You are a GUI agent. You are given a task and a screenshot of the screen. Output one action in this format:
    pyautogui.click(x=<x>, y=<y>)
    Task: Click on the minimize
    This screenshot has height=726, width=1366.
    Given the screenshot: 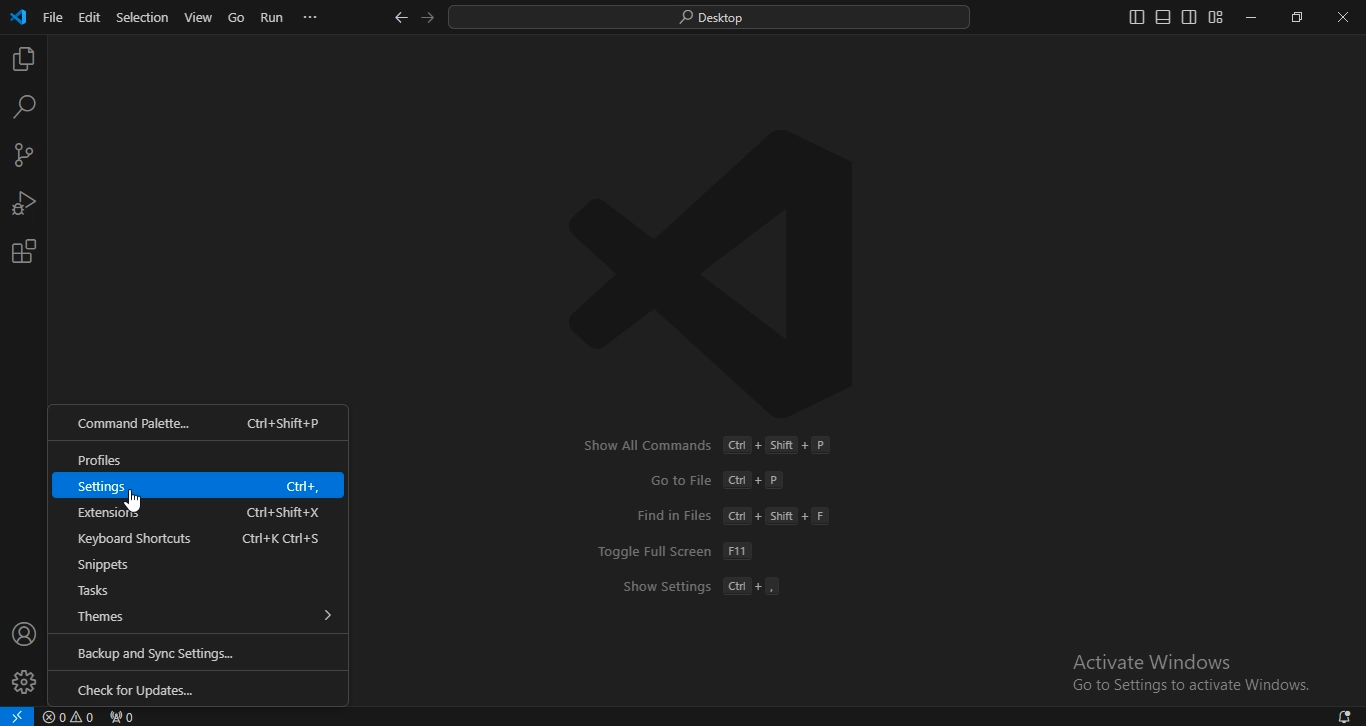 What is the action you would take?
    pyautogui.click(x=1253, y=19)
    